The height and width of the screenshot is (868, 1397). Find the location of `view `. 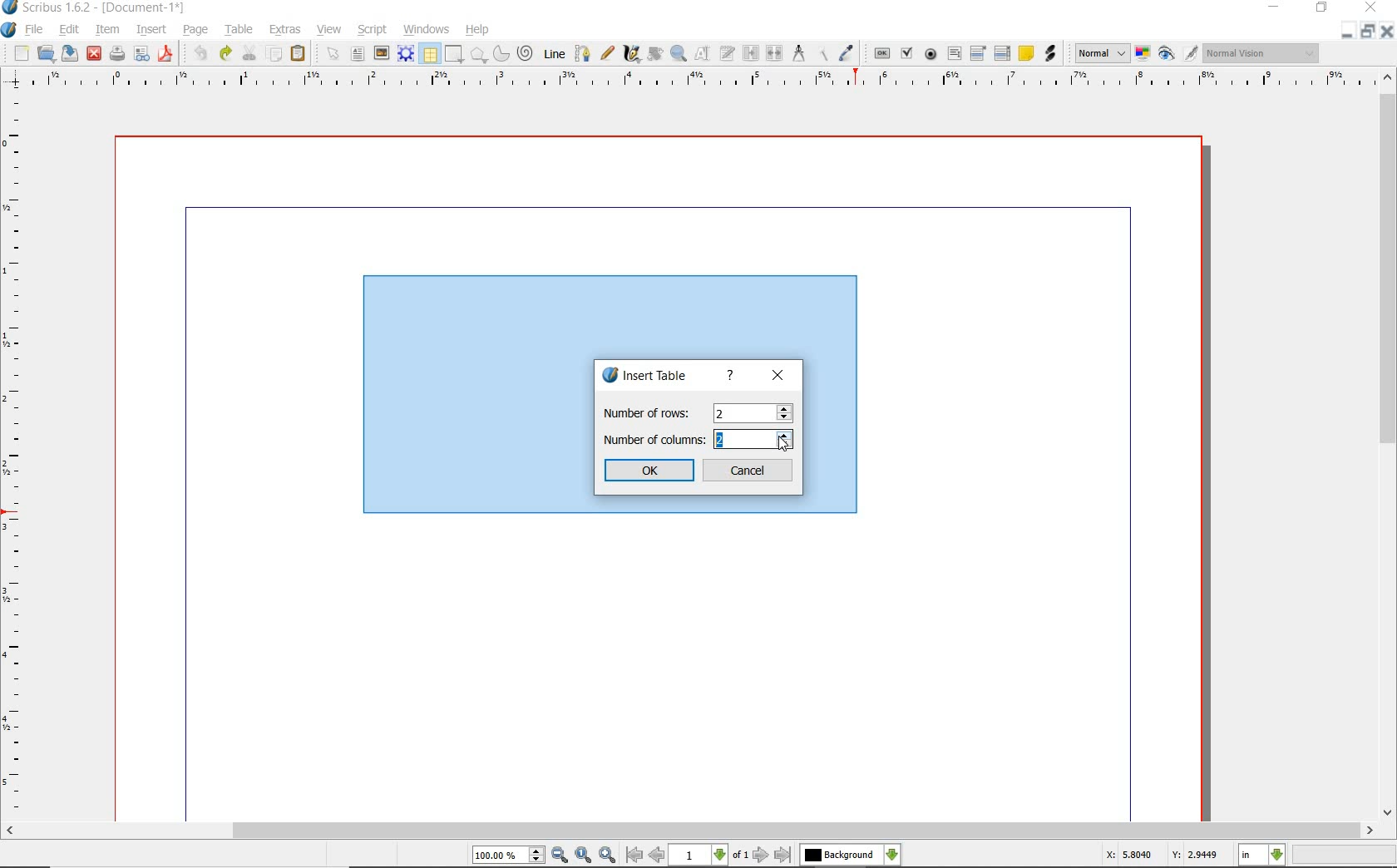

view  is located at coordinates (332, 30).